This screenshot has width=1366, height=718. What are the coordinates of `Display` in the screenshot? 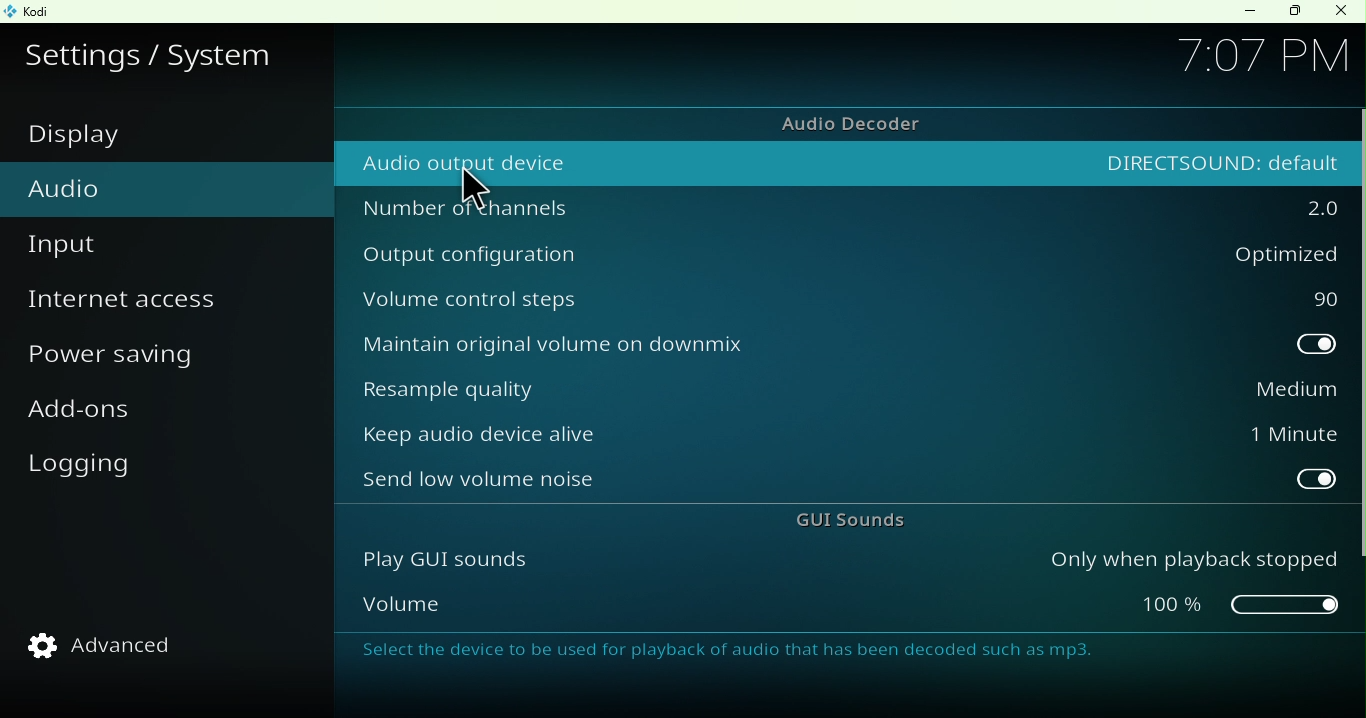 It's located at (115, 139).